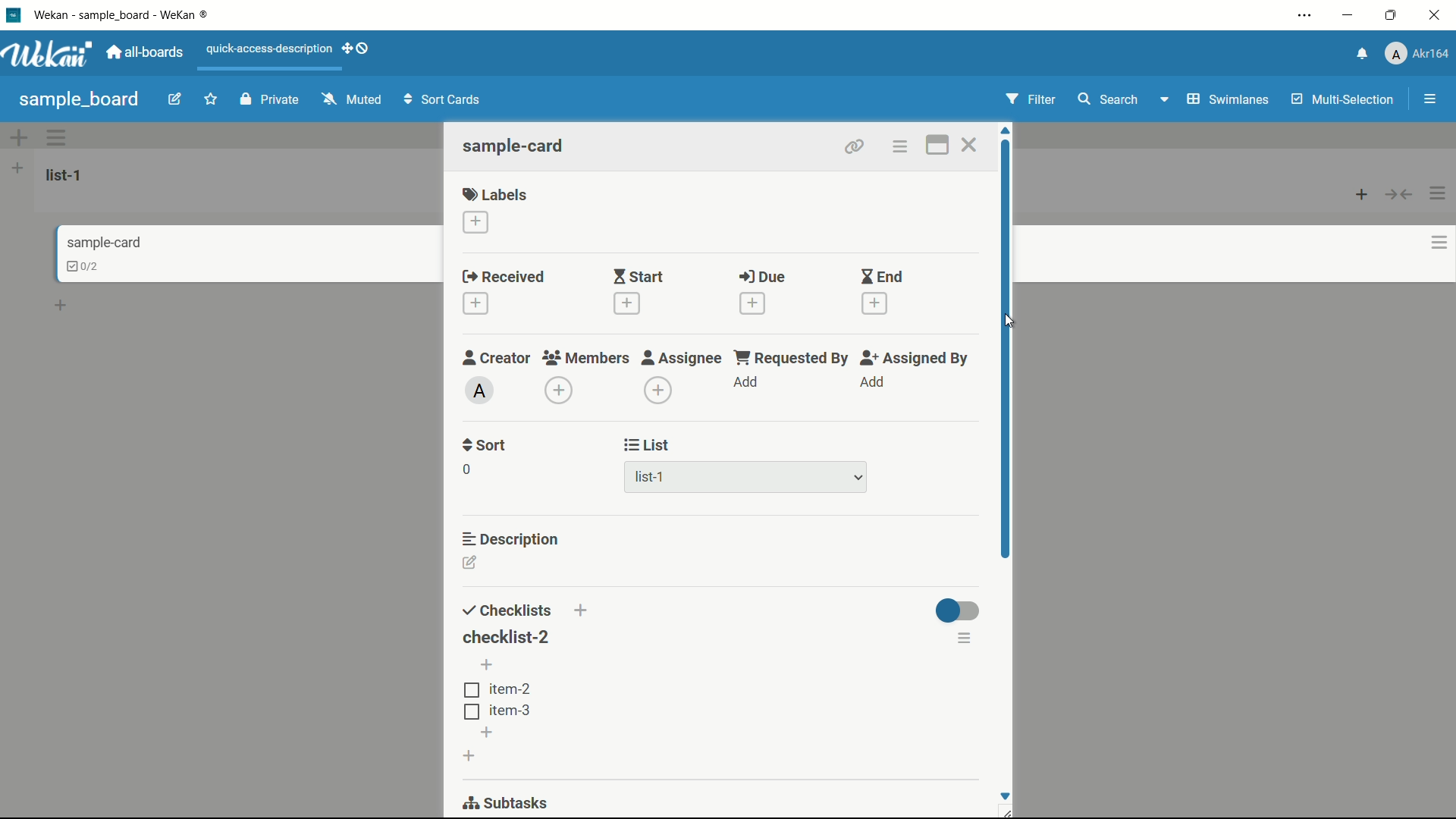 The height and width of the screenshot is (819, 1456). Describe the element at coordinates (269, 100) in the screenshot. I see `private` at that location.